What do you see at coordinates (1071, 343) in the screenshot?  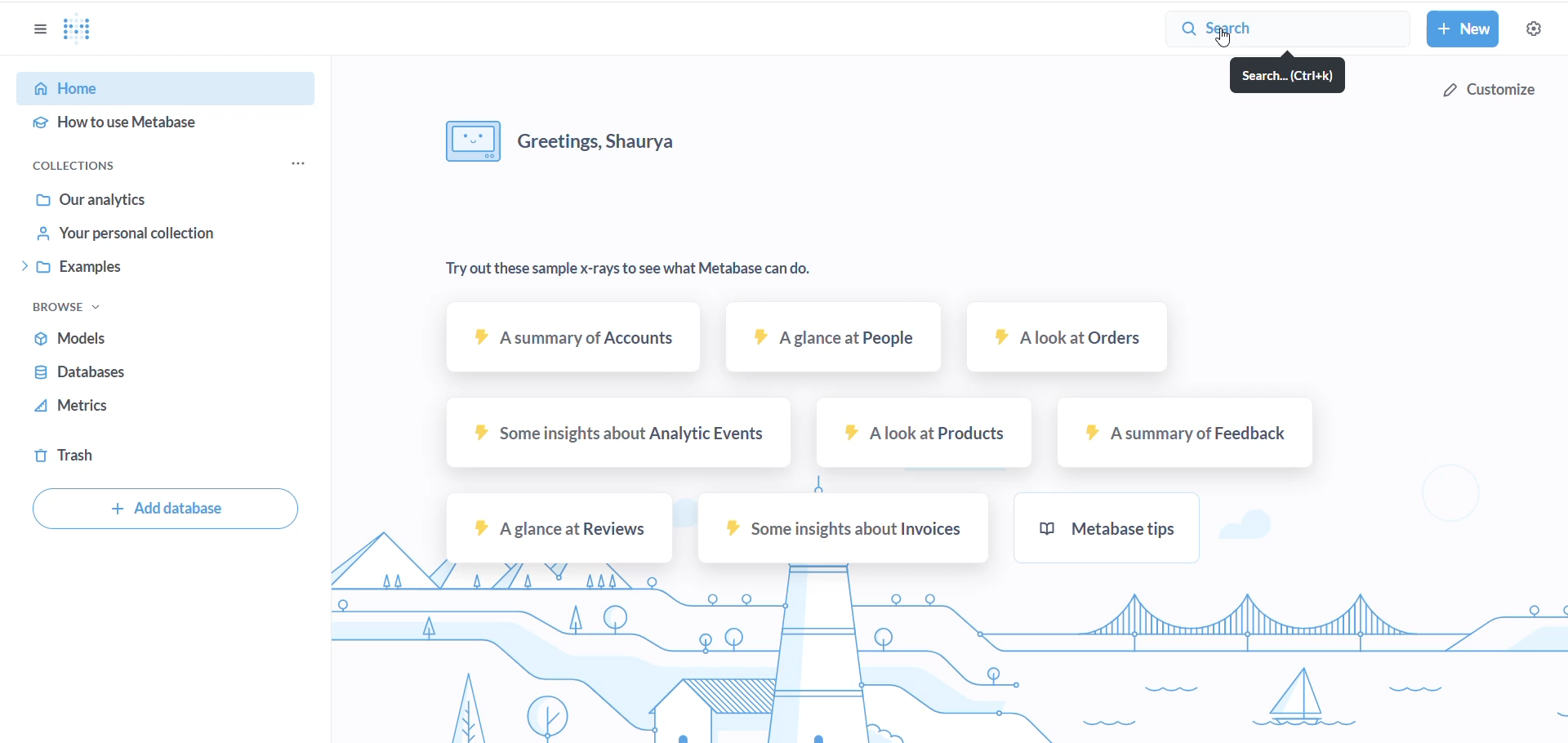 I see `A look at orders ` at bounding box center [1071, 343].